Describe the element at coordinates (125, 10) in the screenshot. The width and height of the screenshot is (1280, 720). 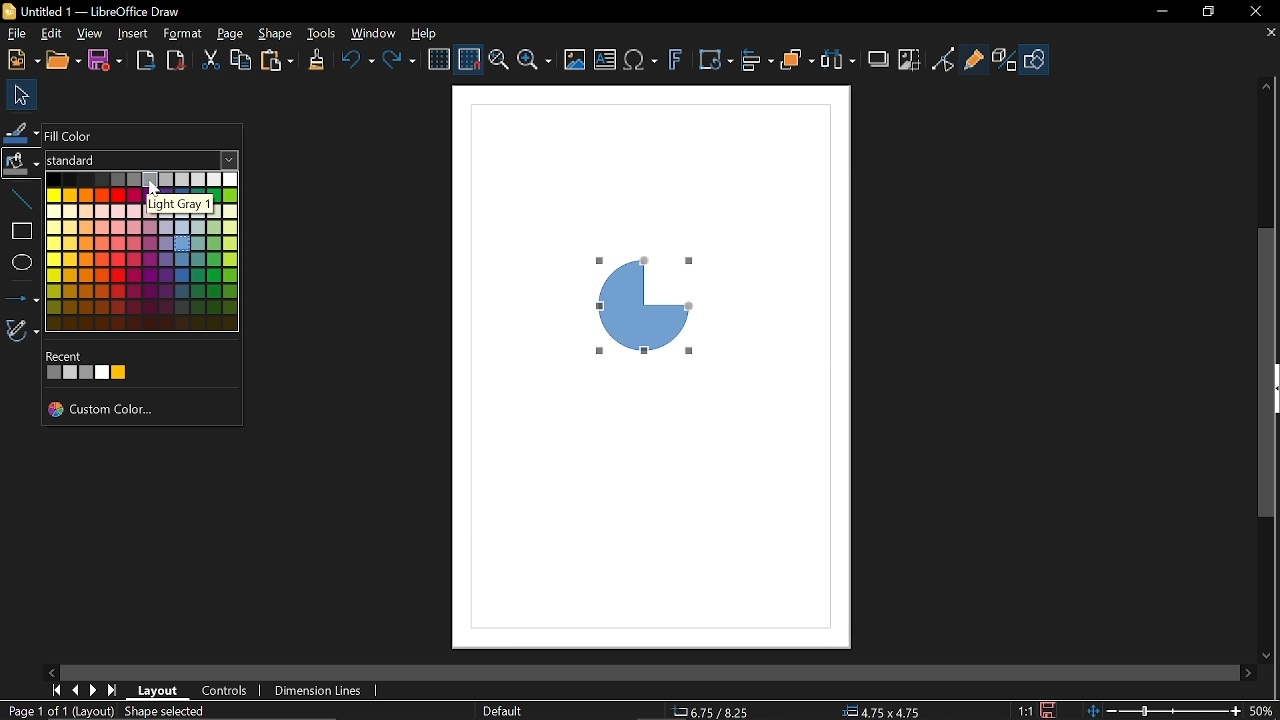
I see `Untitled 1 -- LibreOffice Draw` at that location.